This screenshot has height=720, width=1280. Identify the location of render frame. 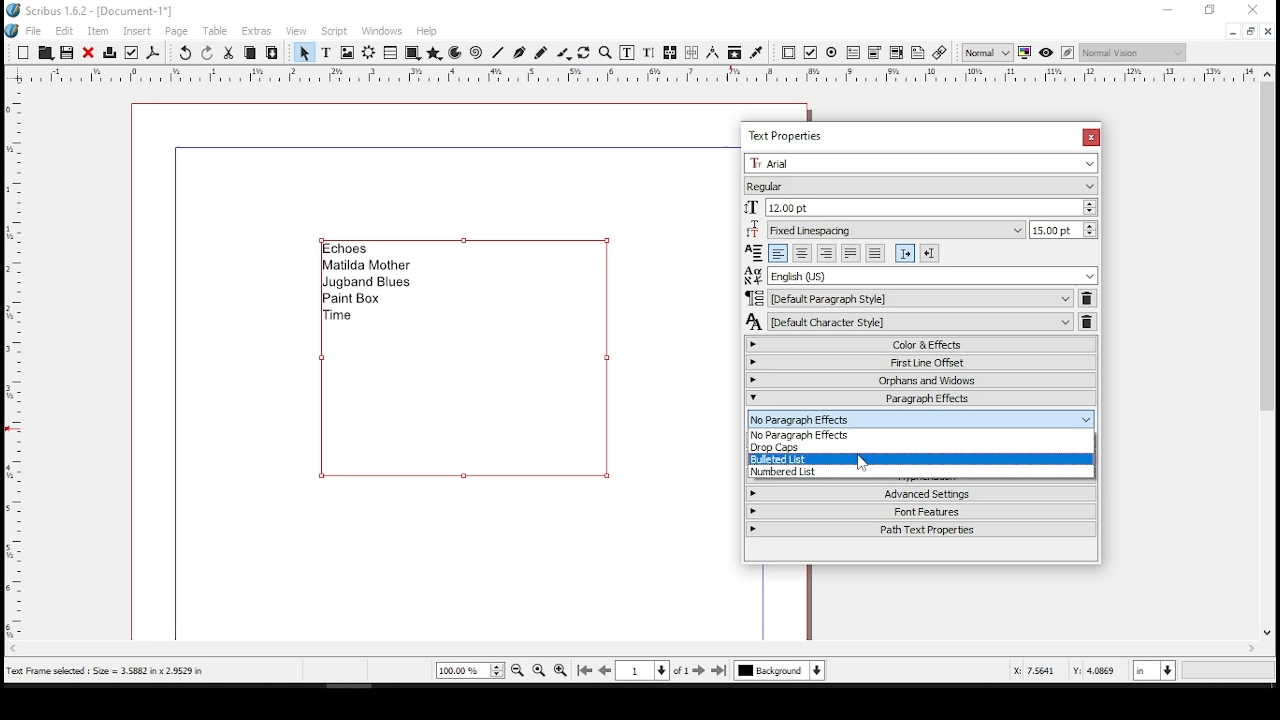
(369, 53).